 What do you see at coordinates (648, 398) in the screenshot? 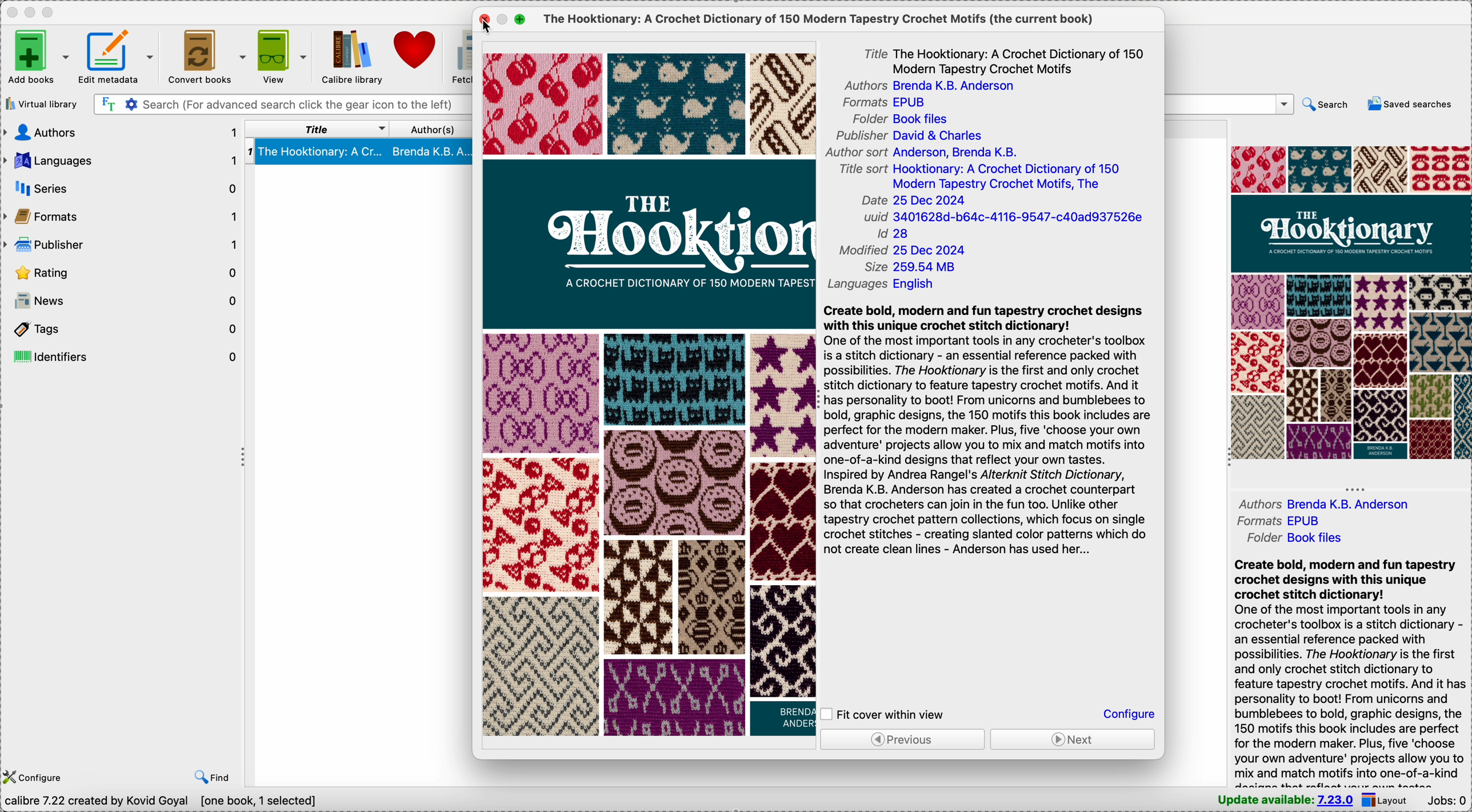
I see `book cover preview` at bounding box center [648, 398].